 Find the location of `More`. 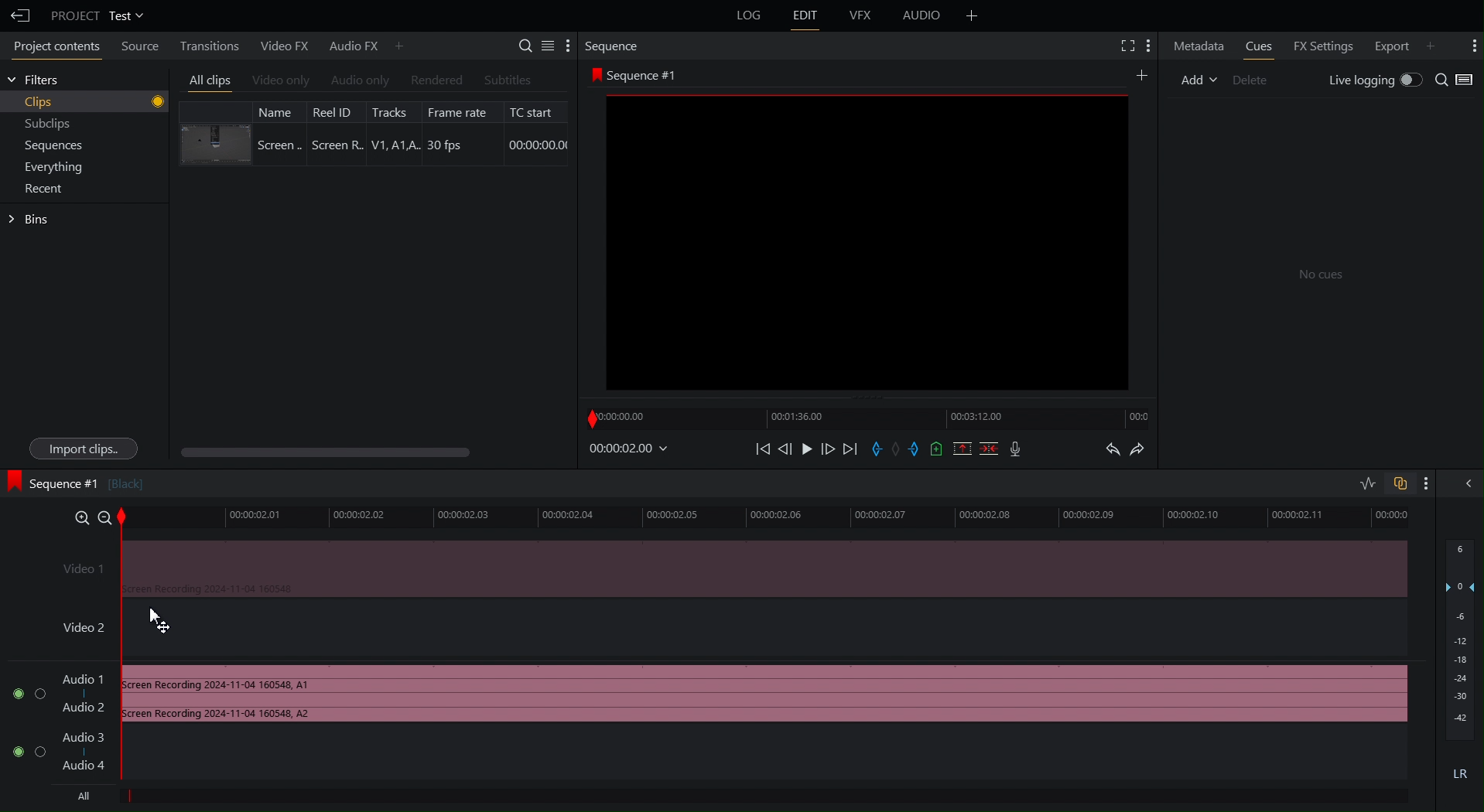

More is located at coordinates (1433, 483).